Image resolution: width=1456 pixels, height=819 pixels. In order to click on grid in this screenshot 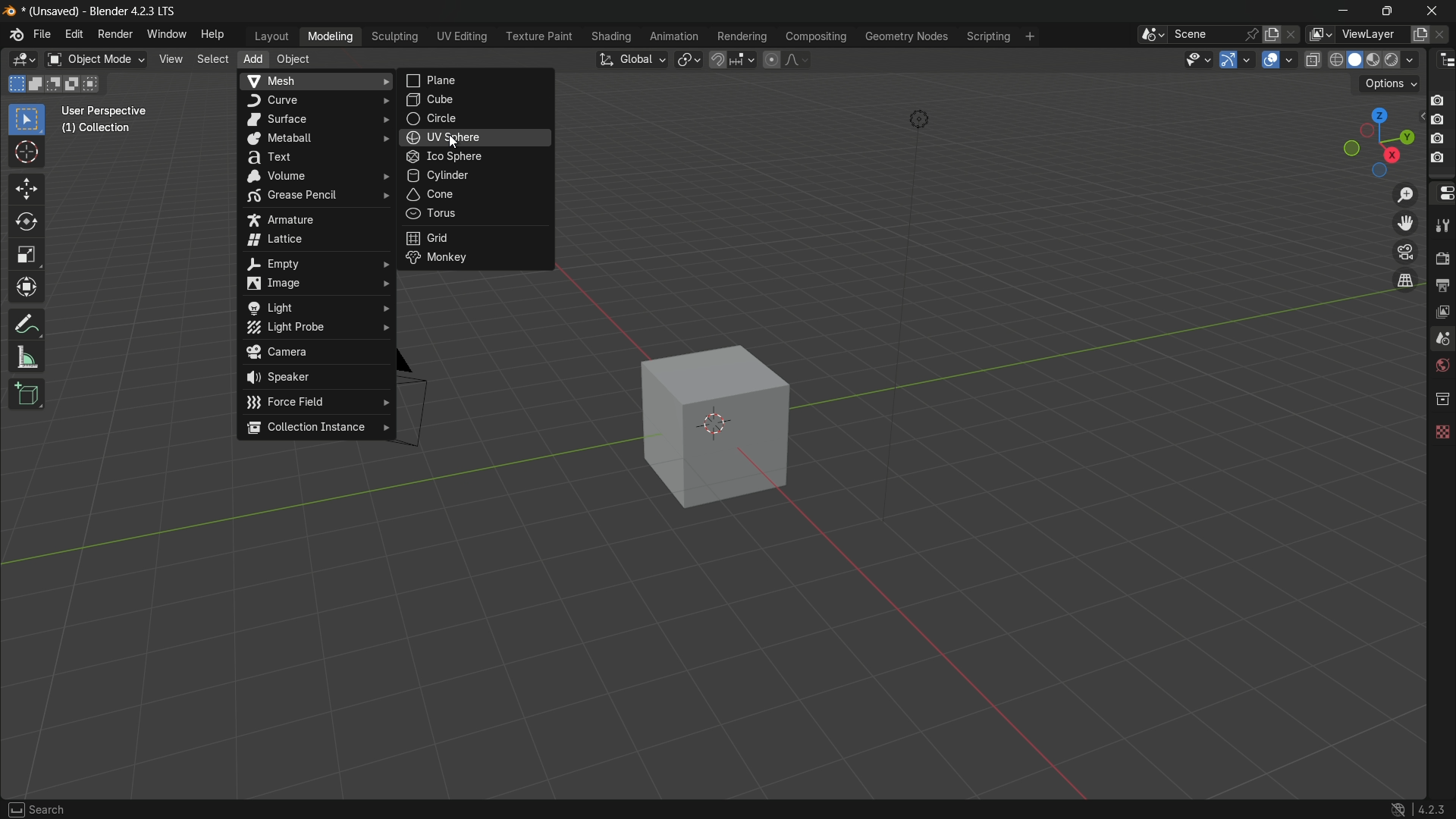, I will do `click(477, 239)`.